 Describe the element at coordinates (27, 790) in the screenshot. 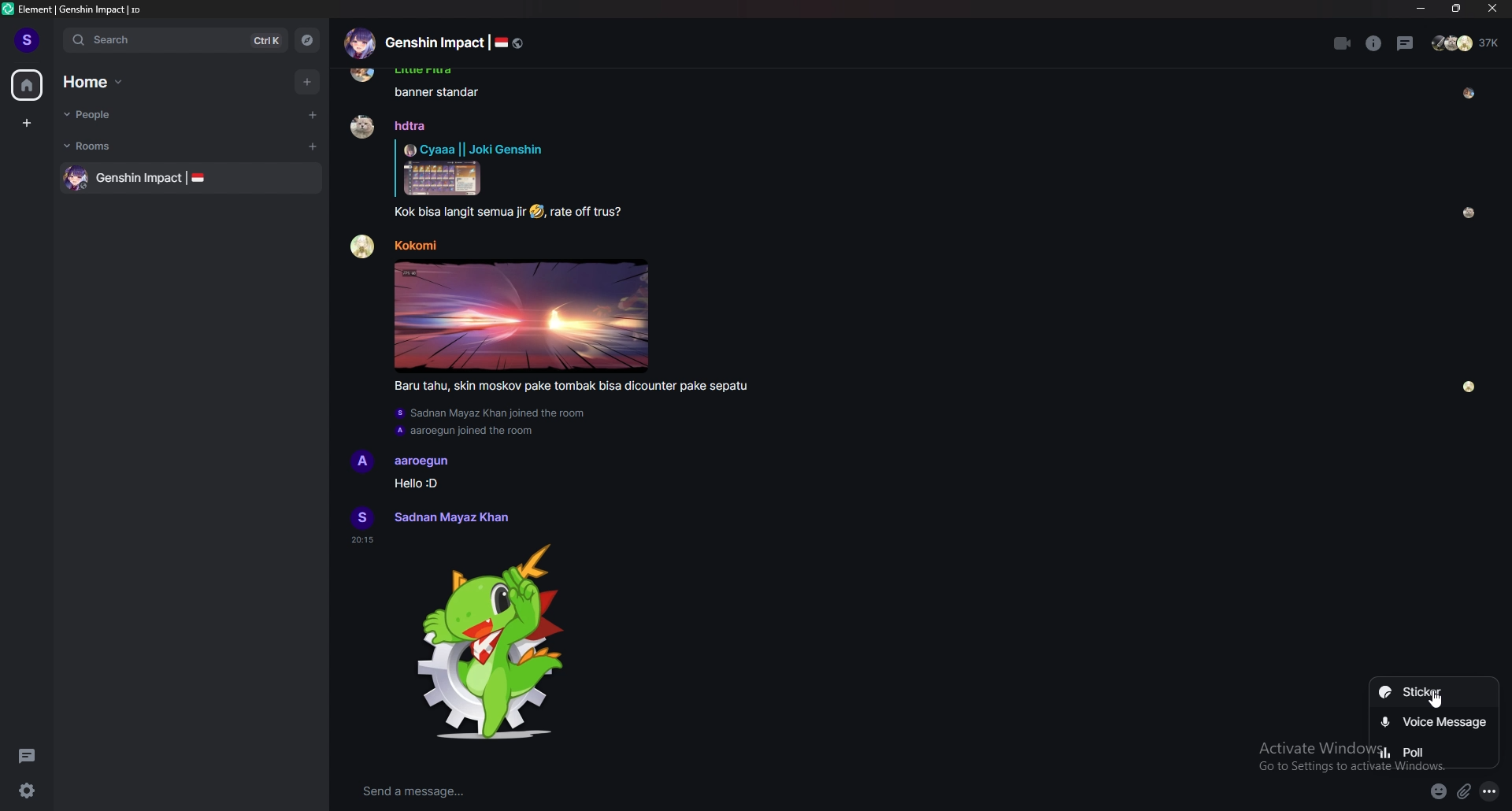

I see `quick settings` at that location.